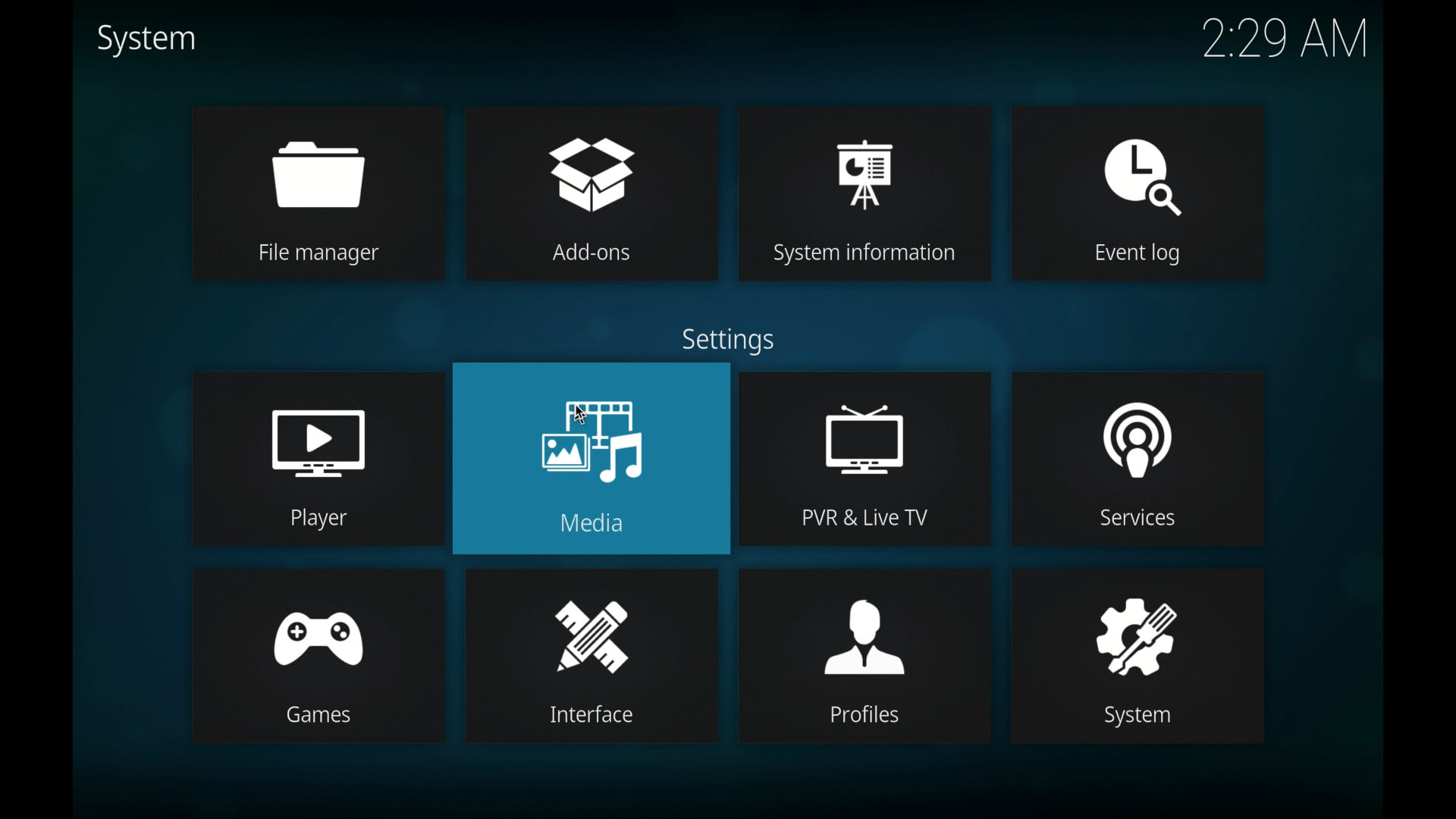 The width and height of the screenshot is (1456, 819). I want to click on add-ons, so click(591, 161).